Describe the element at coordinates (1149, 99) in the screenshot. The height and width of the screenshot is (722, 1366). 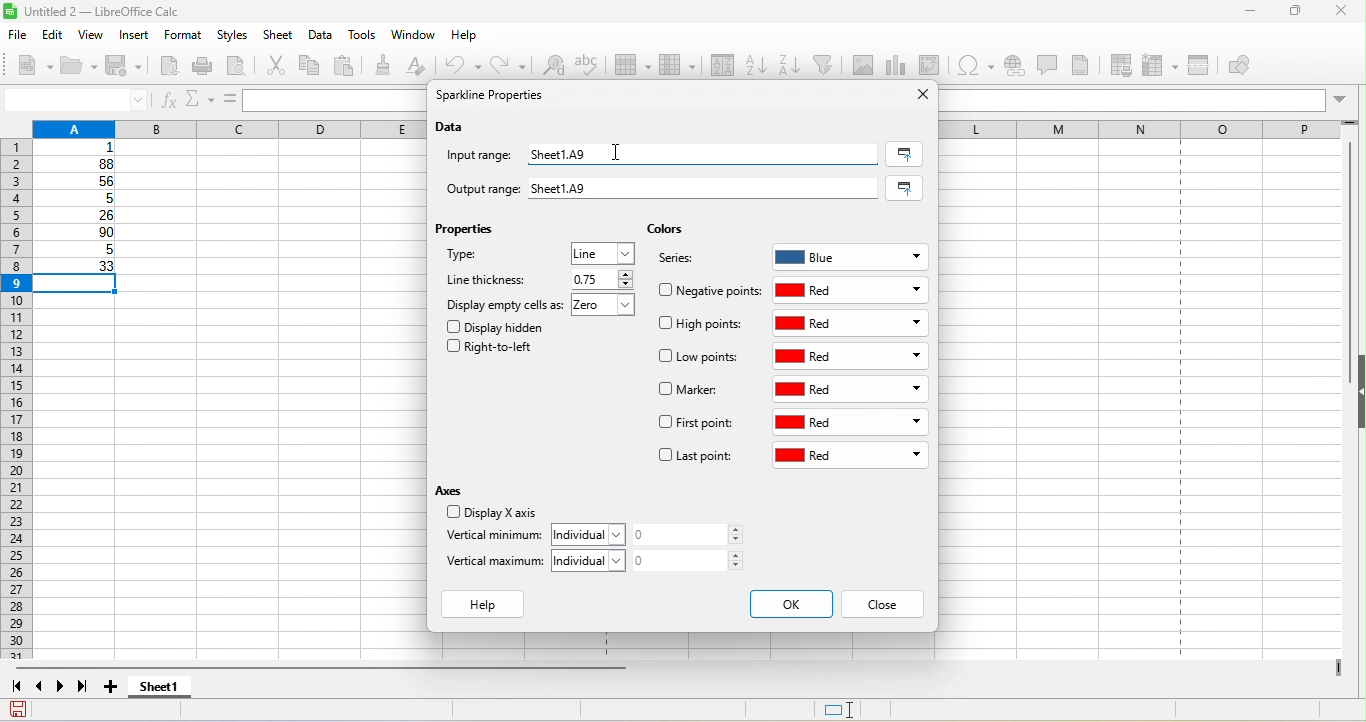
I see `formula bar` at that location.